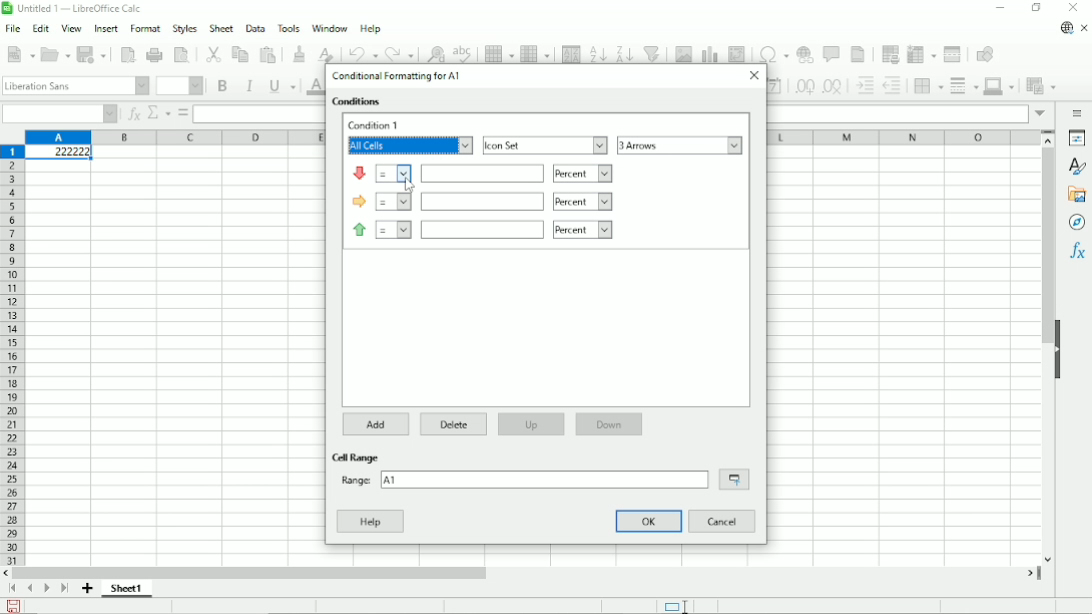 The image size is (1092, 614). I want to click on Title, so click(75, 10).